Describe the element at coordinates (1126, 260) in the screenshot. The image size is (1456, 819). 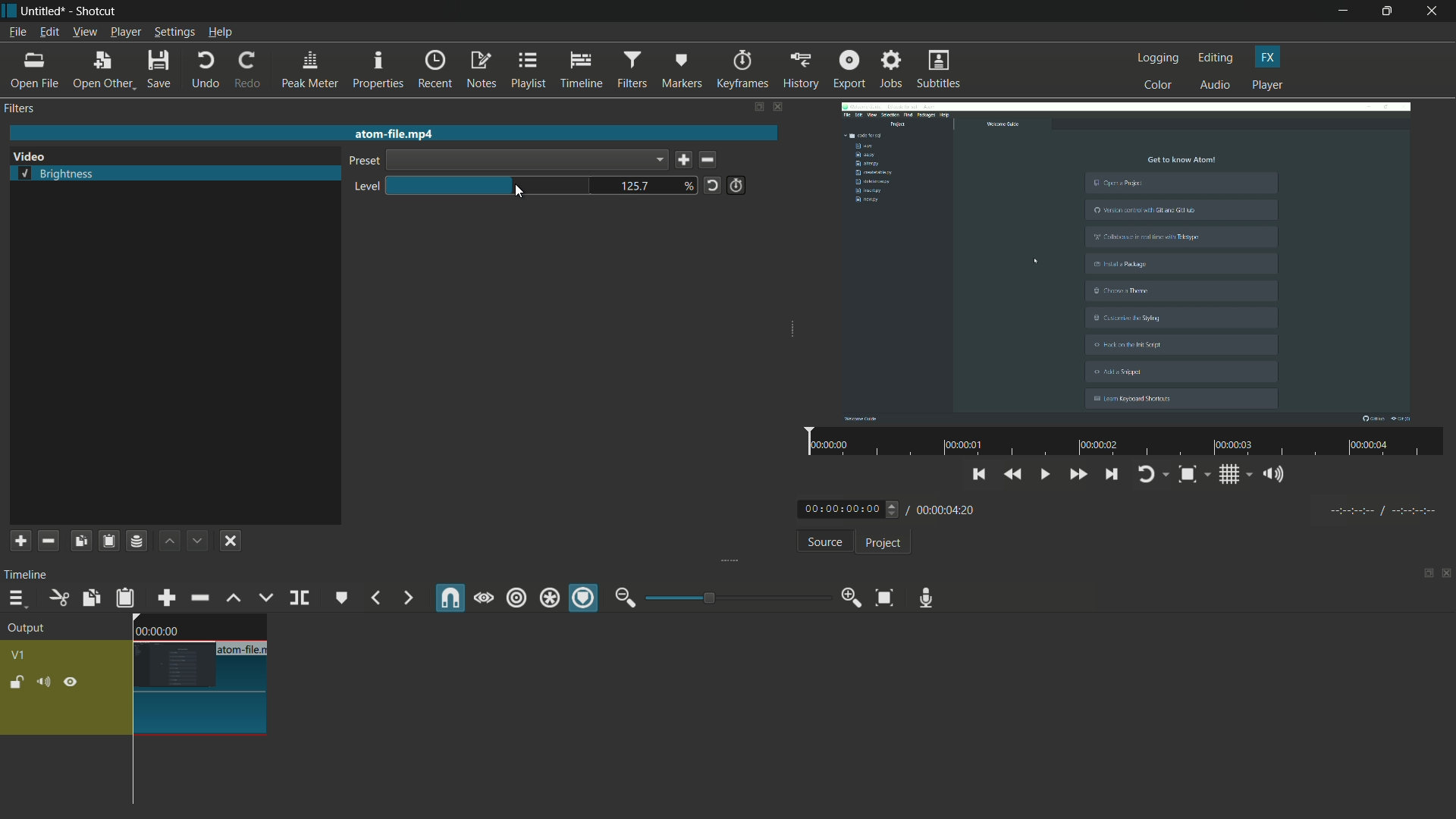
I see `video` at that location.